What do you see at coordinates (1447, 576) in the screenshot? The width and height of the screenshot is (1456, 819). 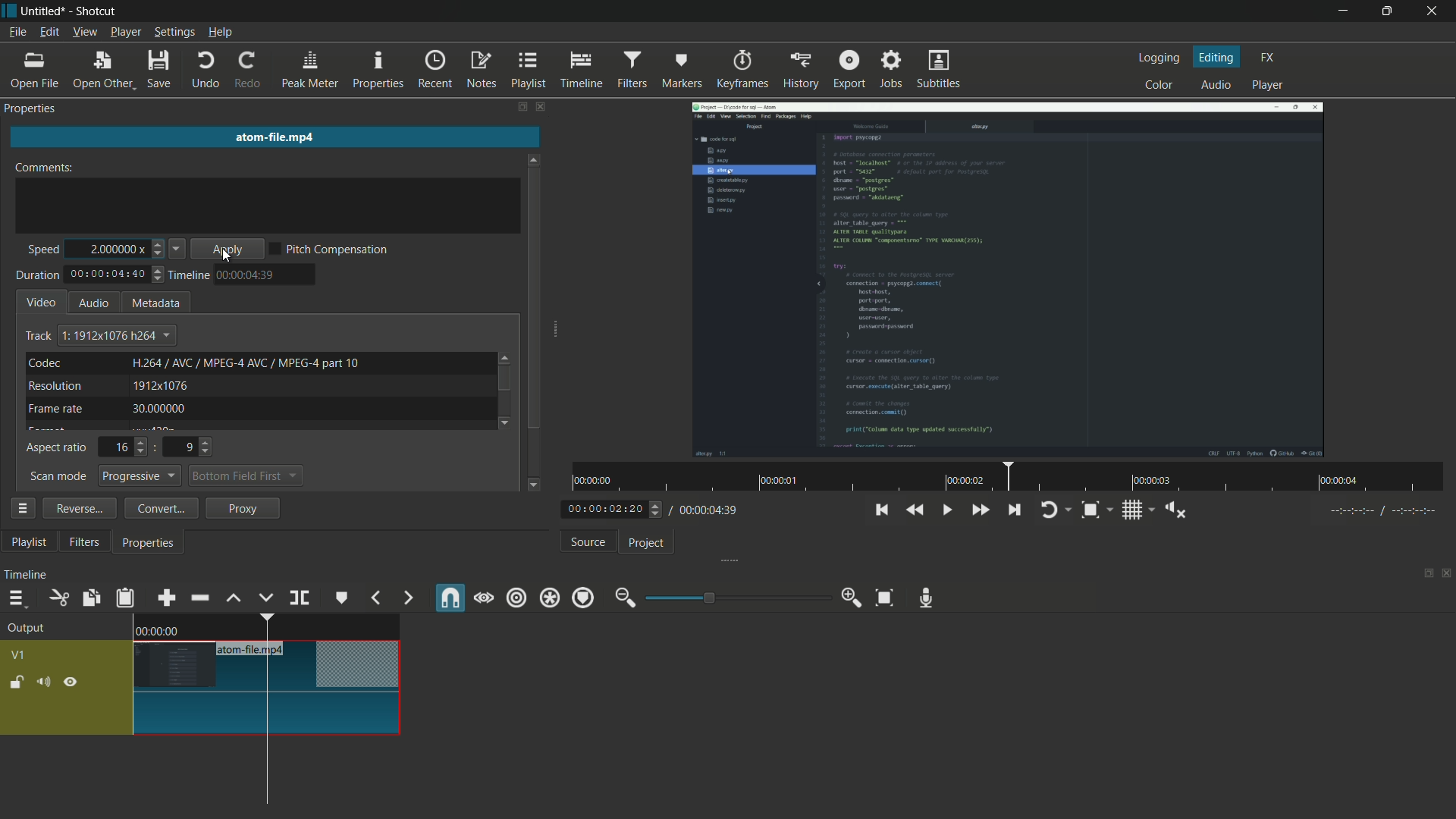 I see `close timeline` at bounding box center [1447, 576].